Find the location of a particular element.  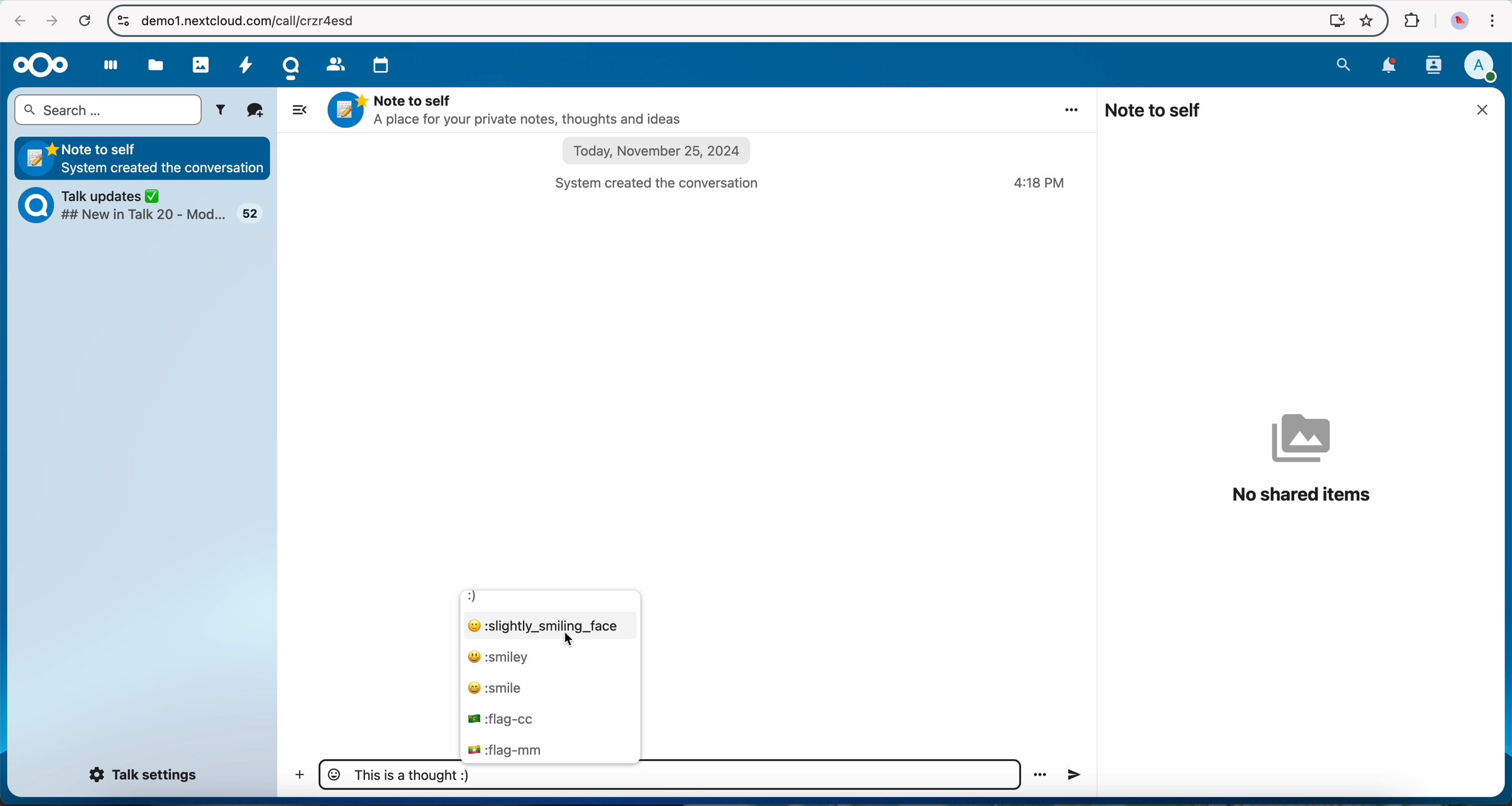

Nextcloud logo is located at coordinates (39, 65).